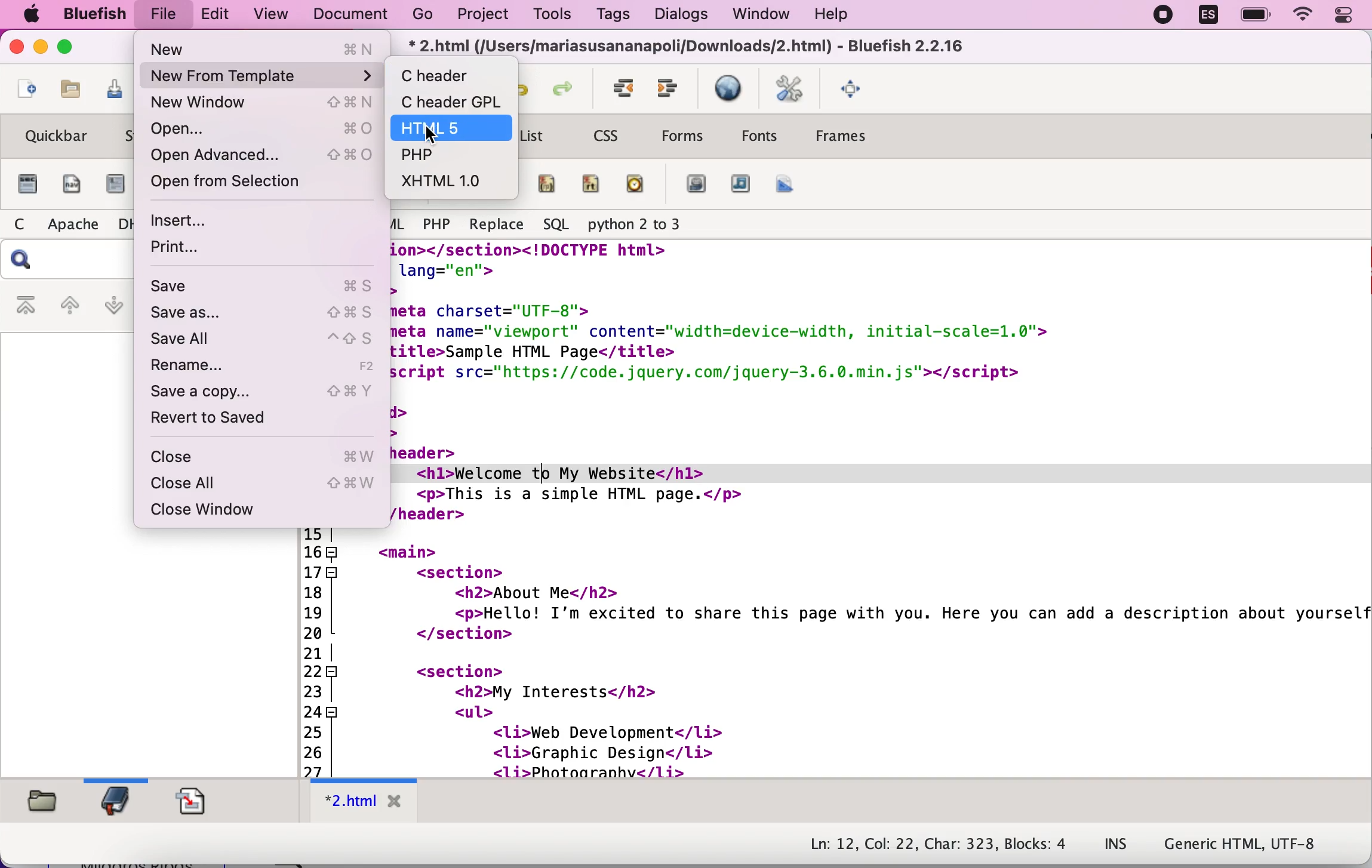  I want to click on close, so click(17, 48).